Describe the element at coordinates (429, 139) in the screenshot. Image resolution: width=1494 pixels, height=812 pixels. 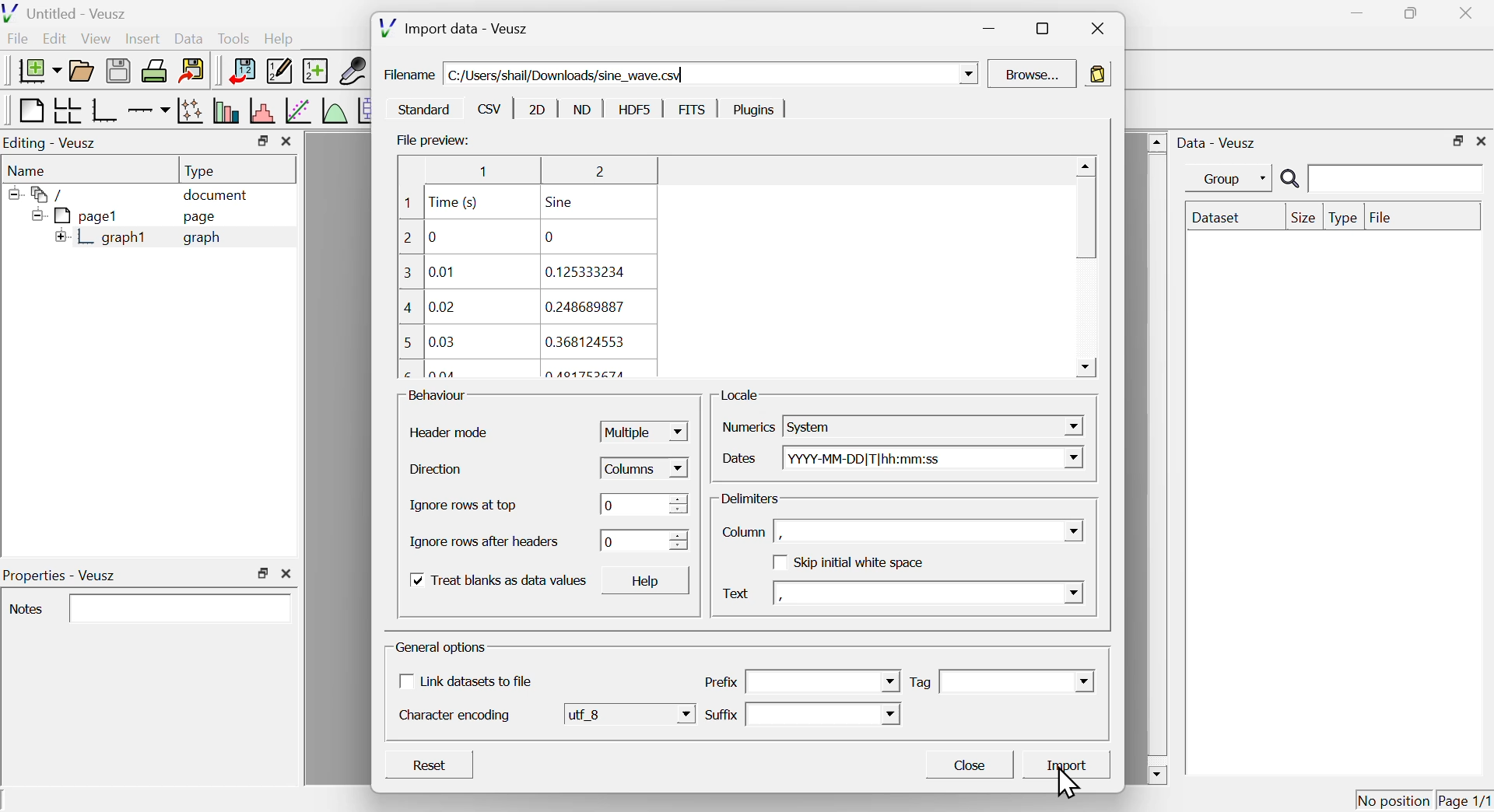
I see `file preview` at that location.